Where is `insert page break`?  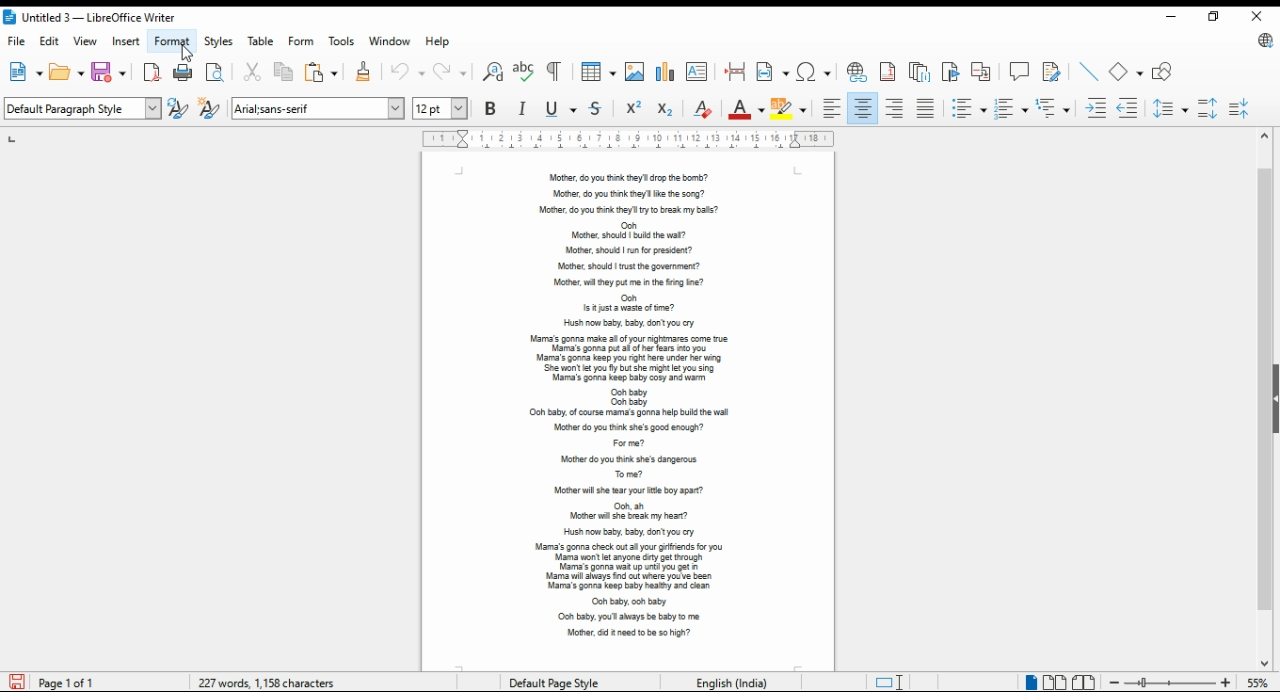 insert page break is located at coordinates (737, 72).